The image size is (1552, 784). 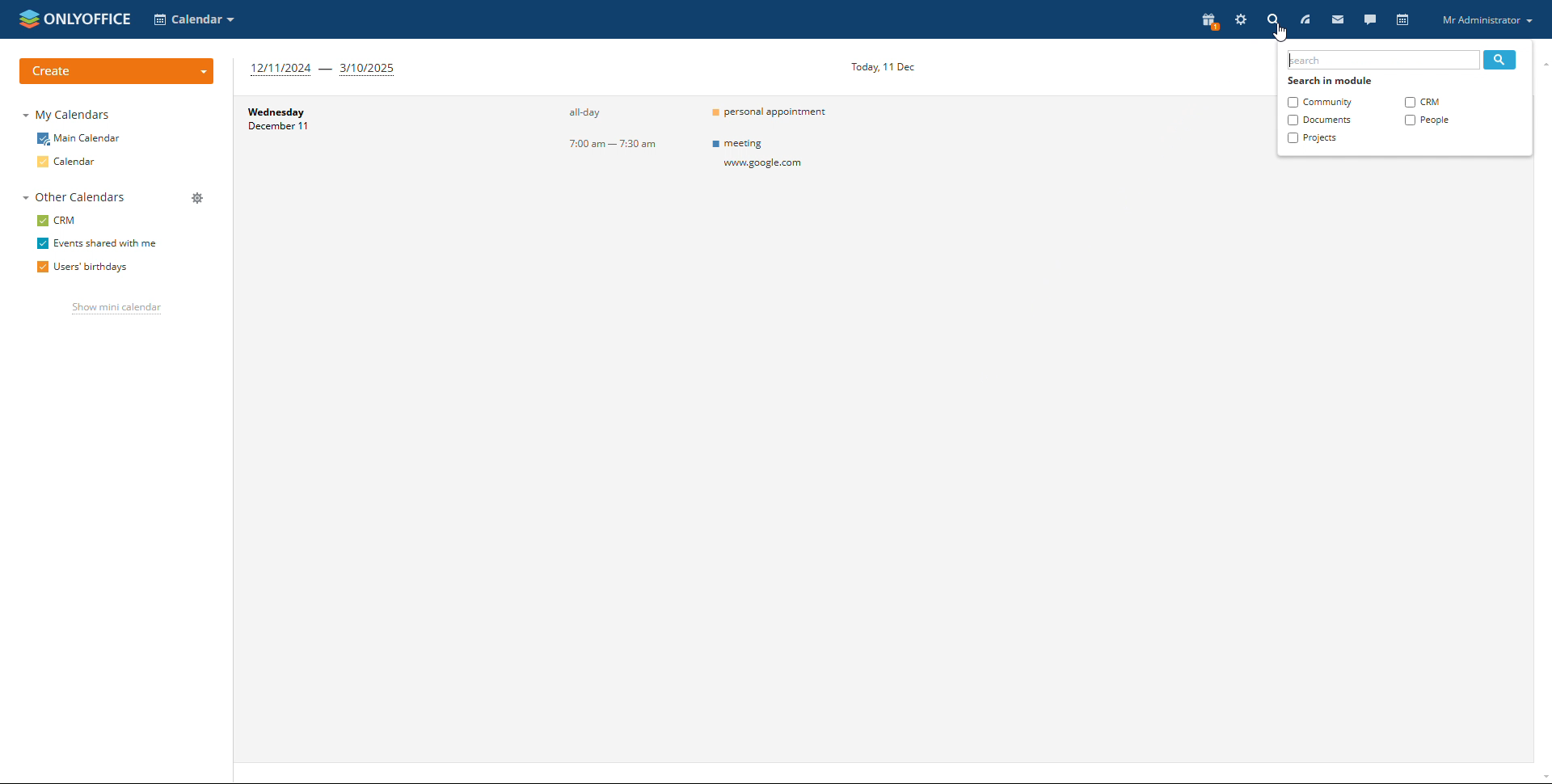 I want to click on manage, so click(x=196, y=199).